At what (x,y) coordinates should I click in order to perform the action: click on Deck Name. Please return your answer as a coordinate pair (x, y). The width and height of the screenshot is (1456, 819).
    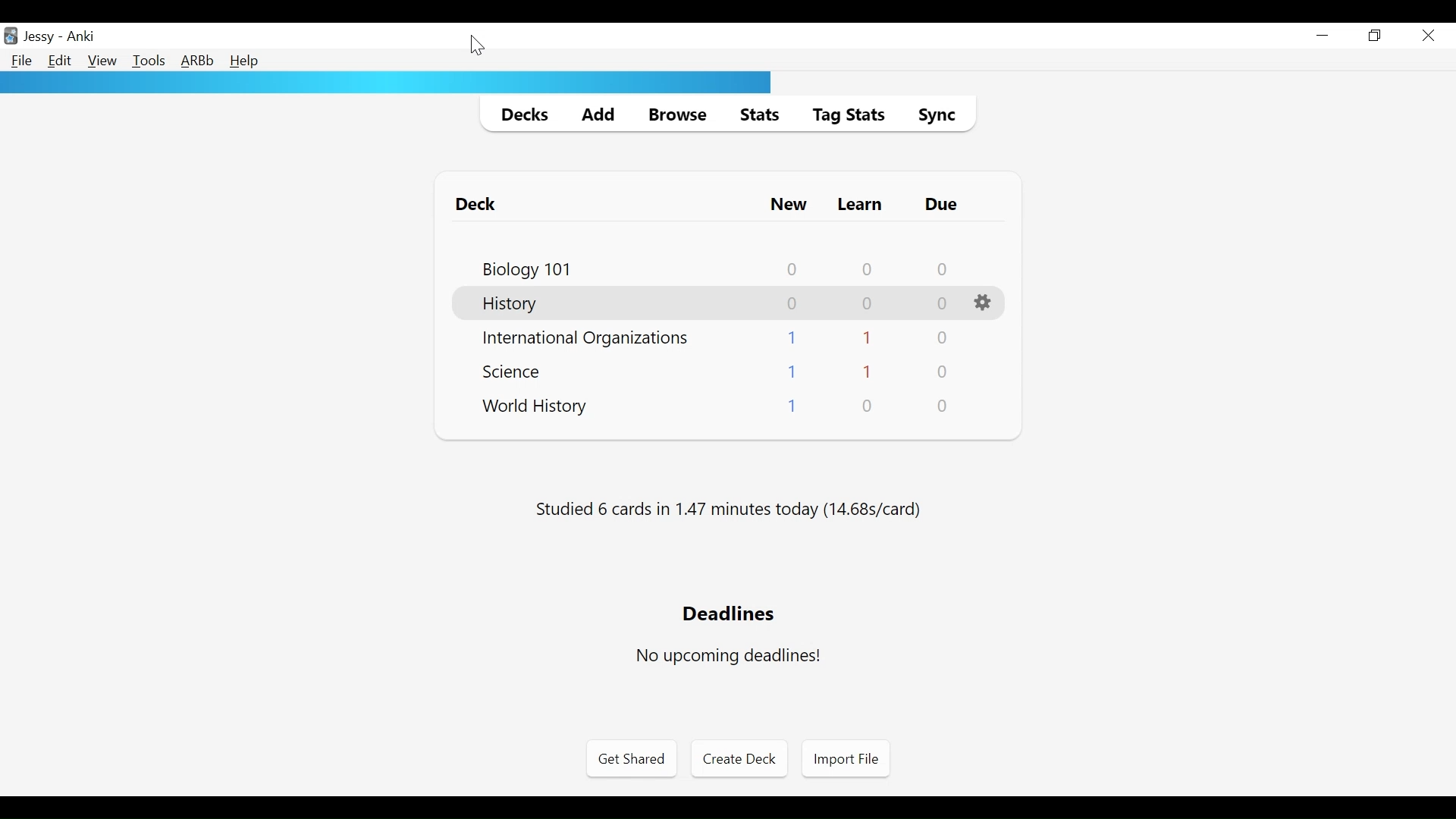
    Looking at the image, I should click on (479, 205).